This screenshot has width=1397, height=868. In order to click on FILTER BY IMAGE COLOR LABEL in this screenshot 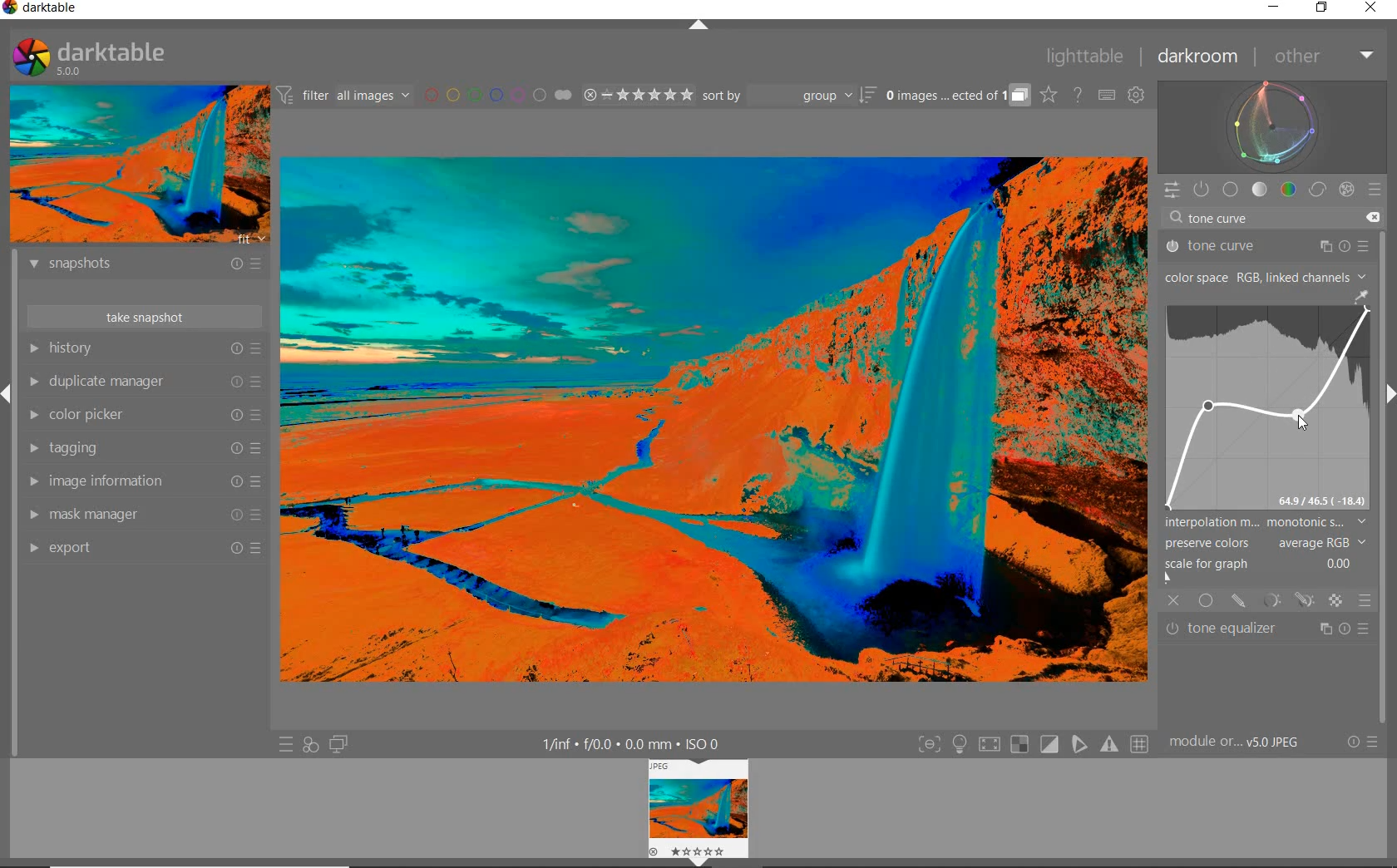, I will do `click(499, 96)`.